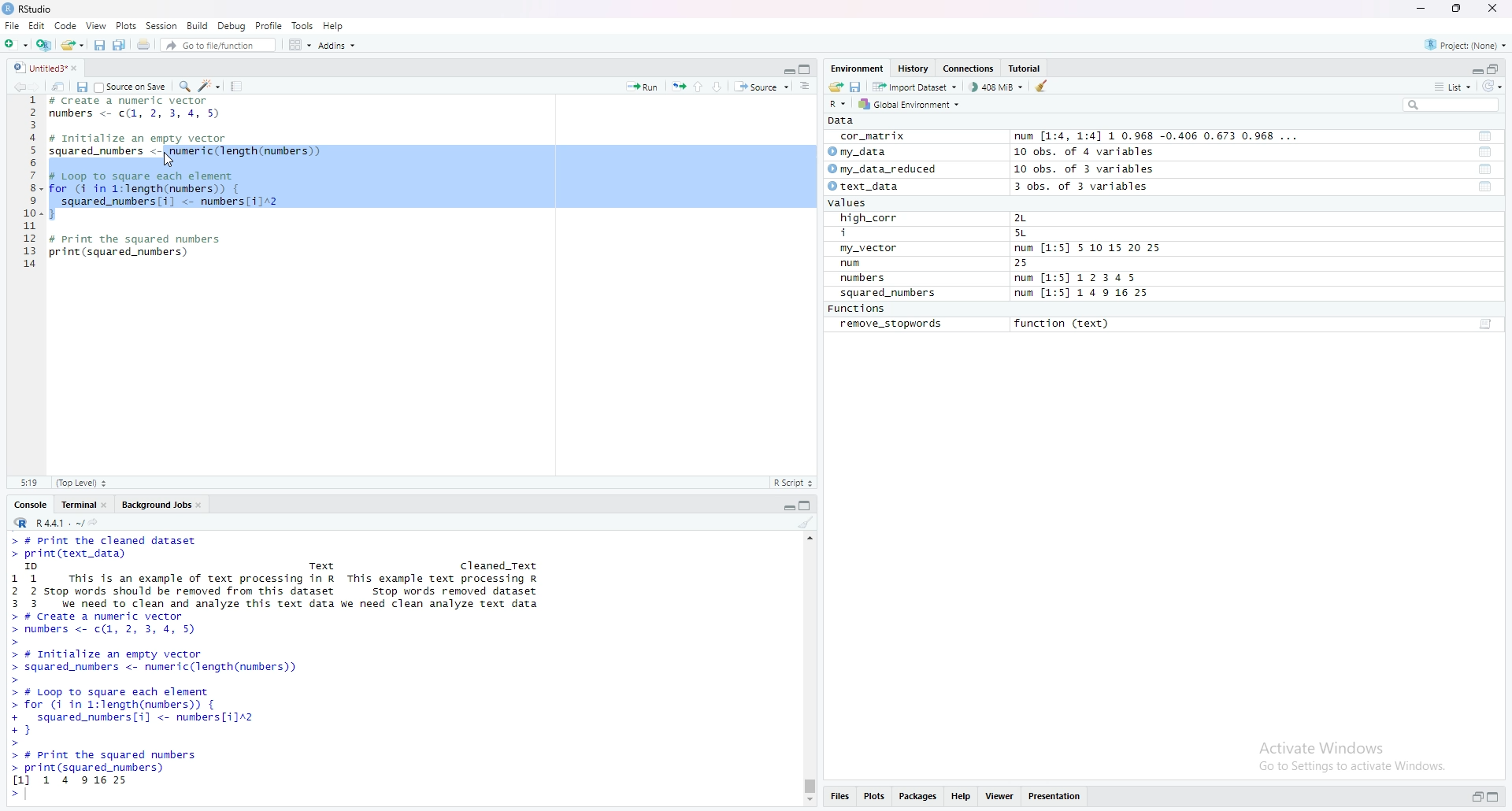  Describe the element at coordinates (1028, 69) in the screenshot. I see `Tutorial` at that location.